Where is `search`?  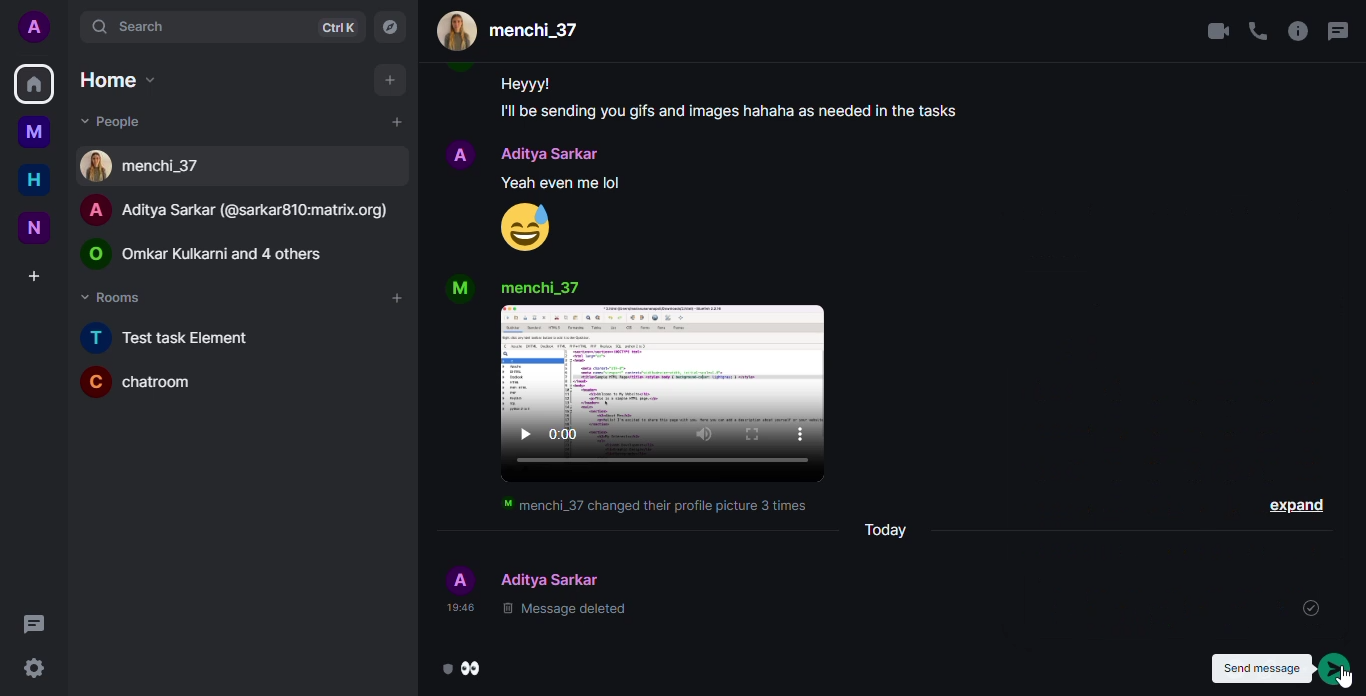
search is located at coordinates (121, 26).